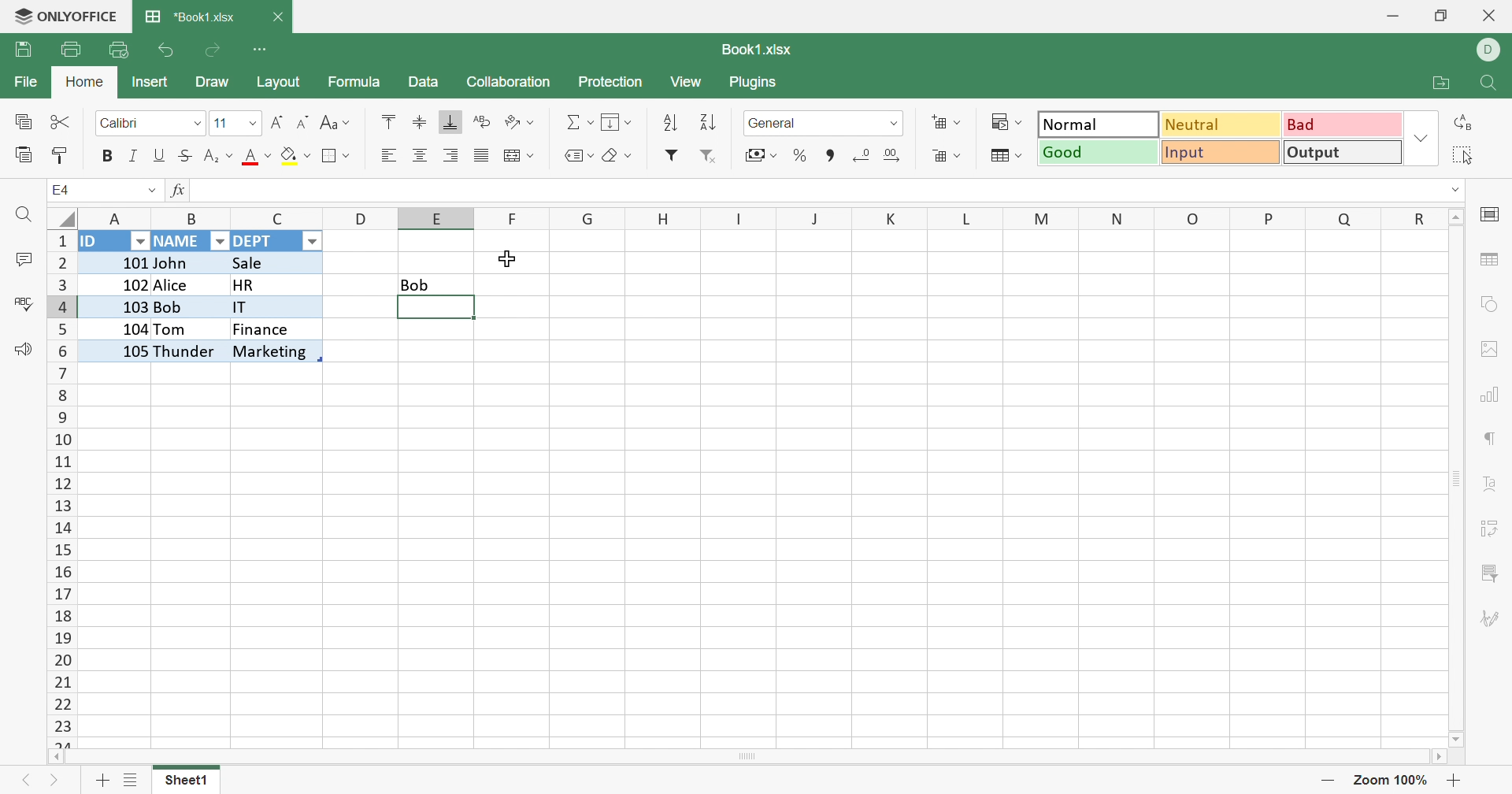  What do you see at coordinates (616, 121) in the screenshot?
I see `Fill` at bounding box center [616, 121].